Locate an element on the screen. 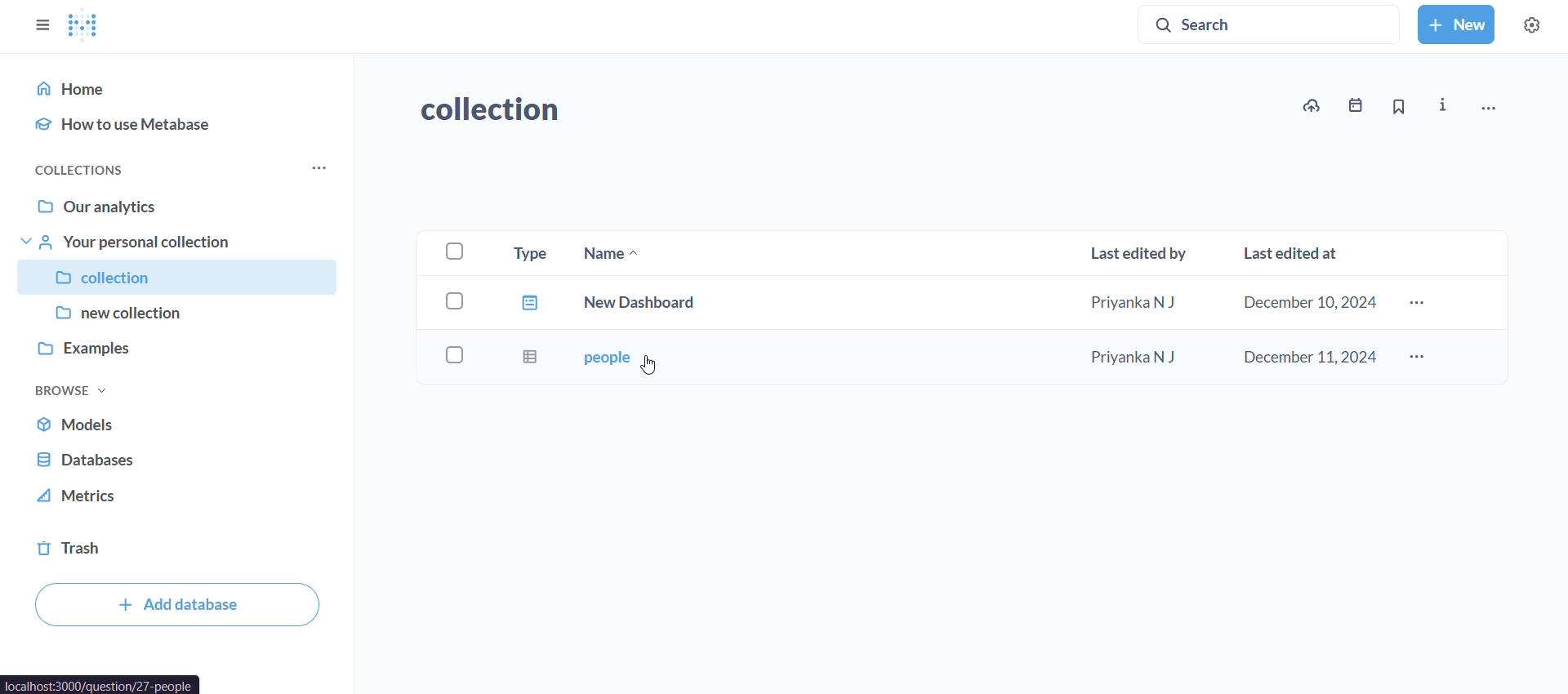 This screenshot has width=1568, height=694. your personal collection is located at coordinates (177, 242).